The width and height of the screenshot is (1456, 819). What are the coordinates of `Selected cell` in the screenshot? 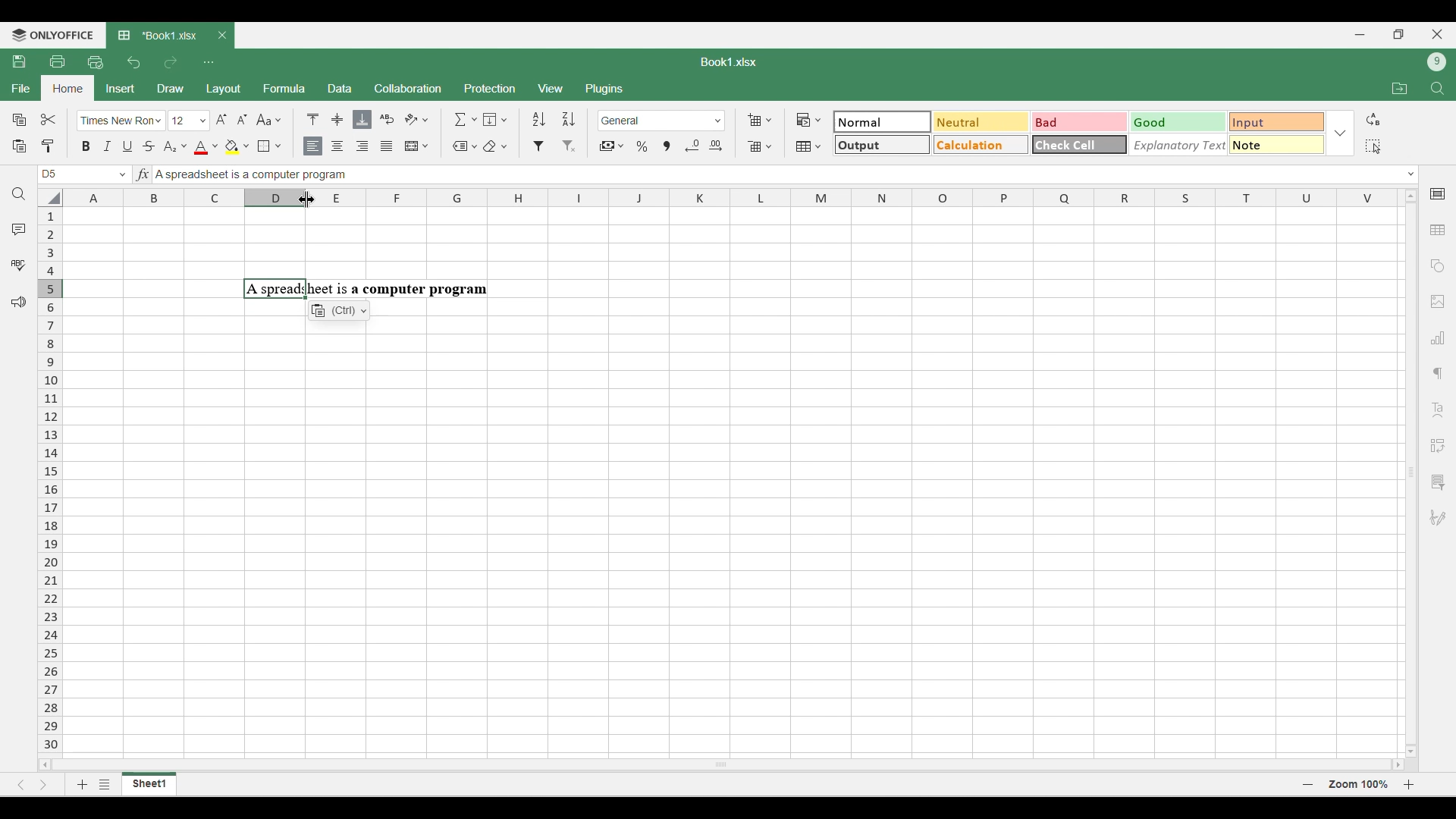 It's located at (49, 174).